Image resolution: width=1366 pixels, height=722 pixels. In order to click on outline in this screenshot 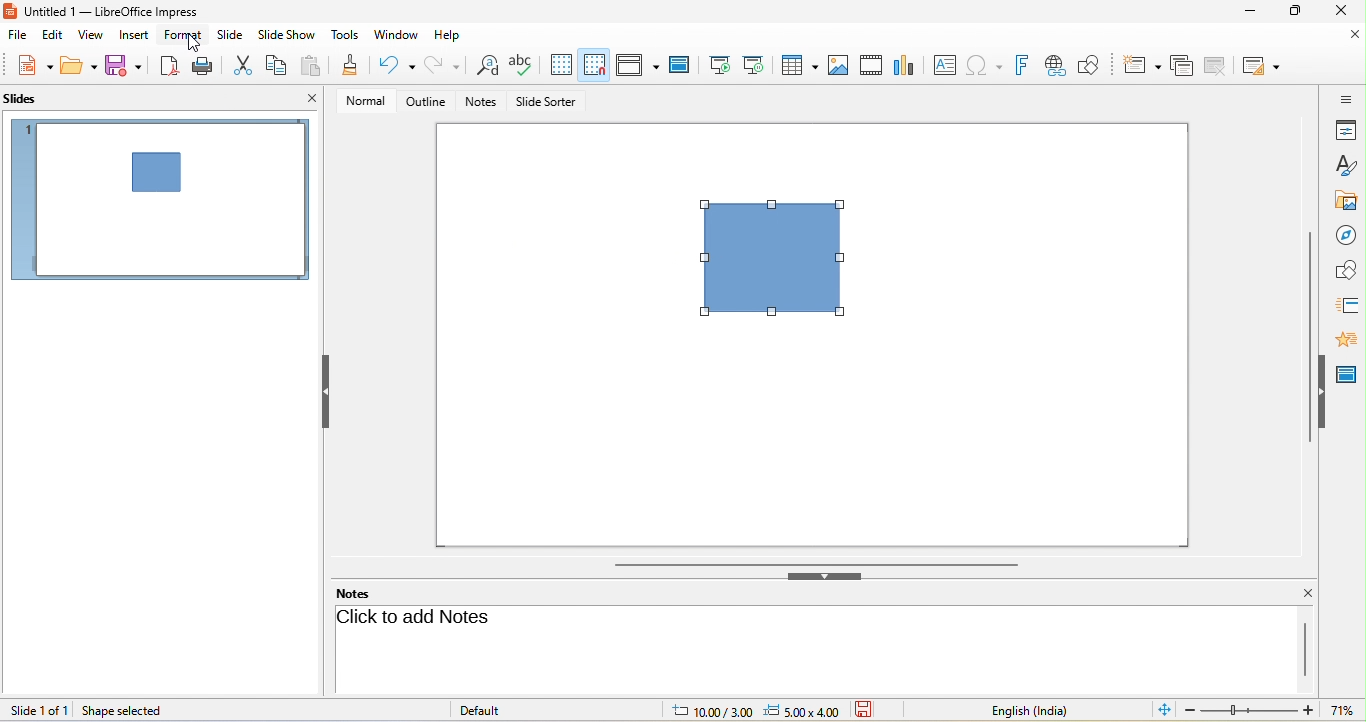, I will do `click(426, 101)`.